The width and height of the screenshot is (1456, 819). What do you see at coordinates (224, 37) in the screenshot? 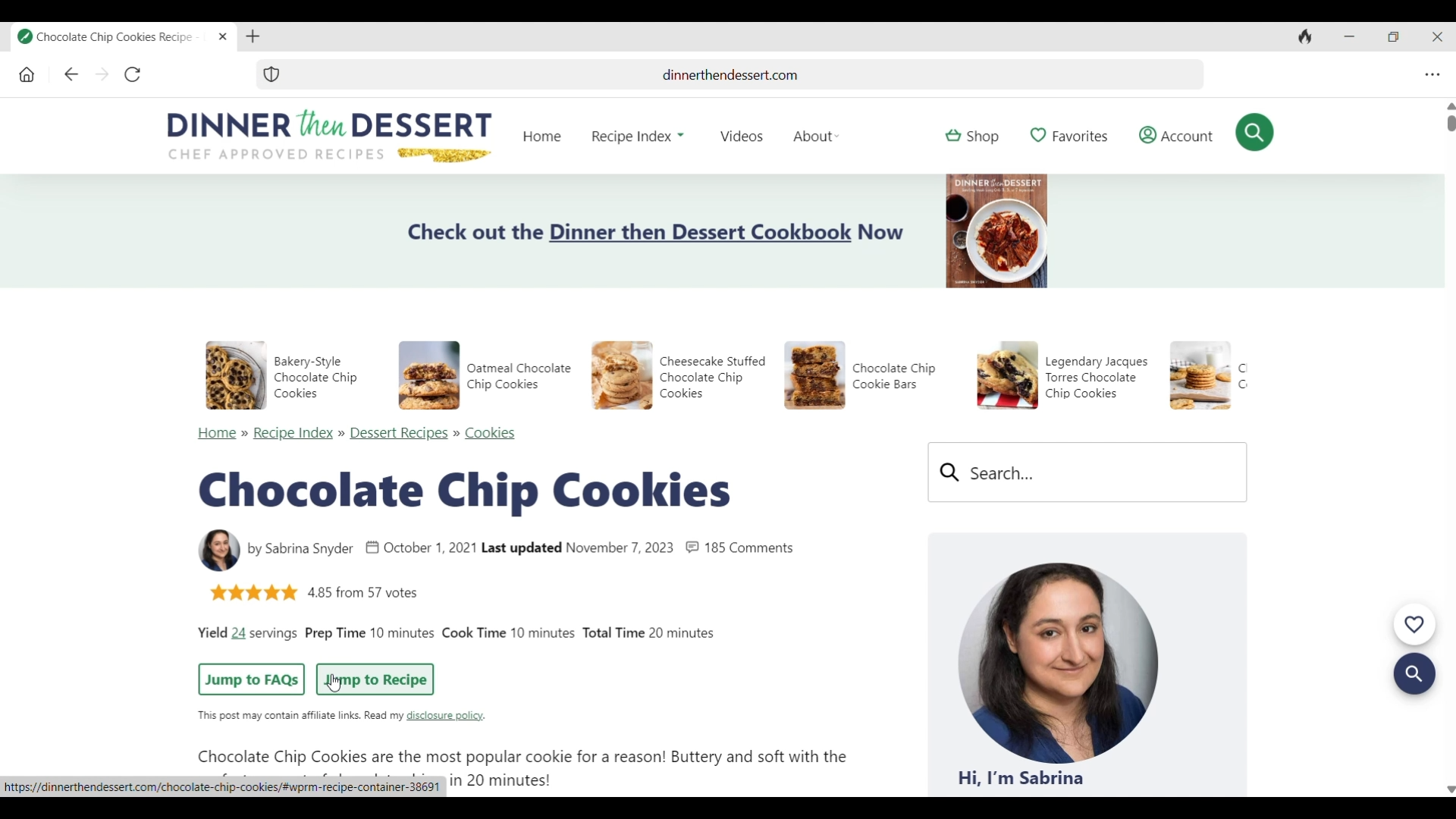
I see `Close tab` at bounding box center [224, 37].